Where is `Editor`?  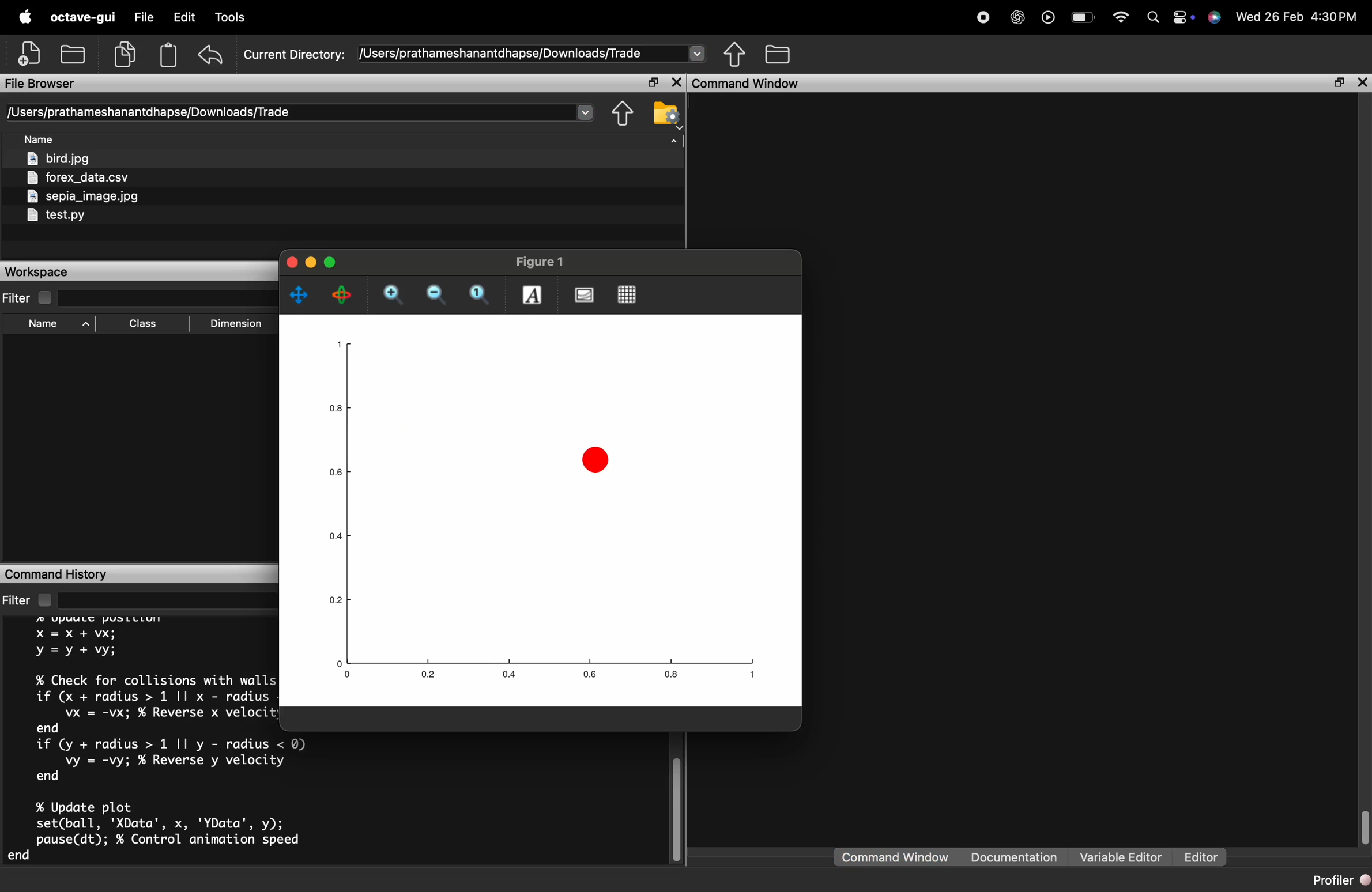 Editor is located at coordinates (1203, 857).